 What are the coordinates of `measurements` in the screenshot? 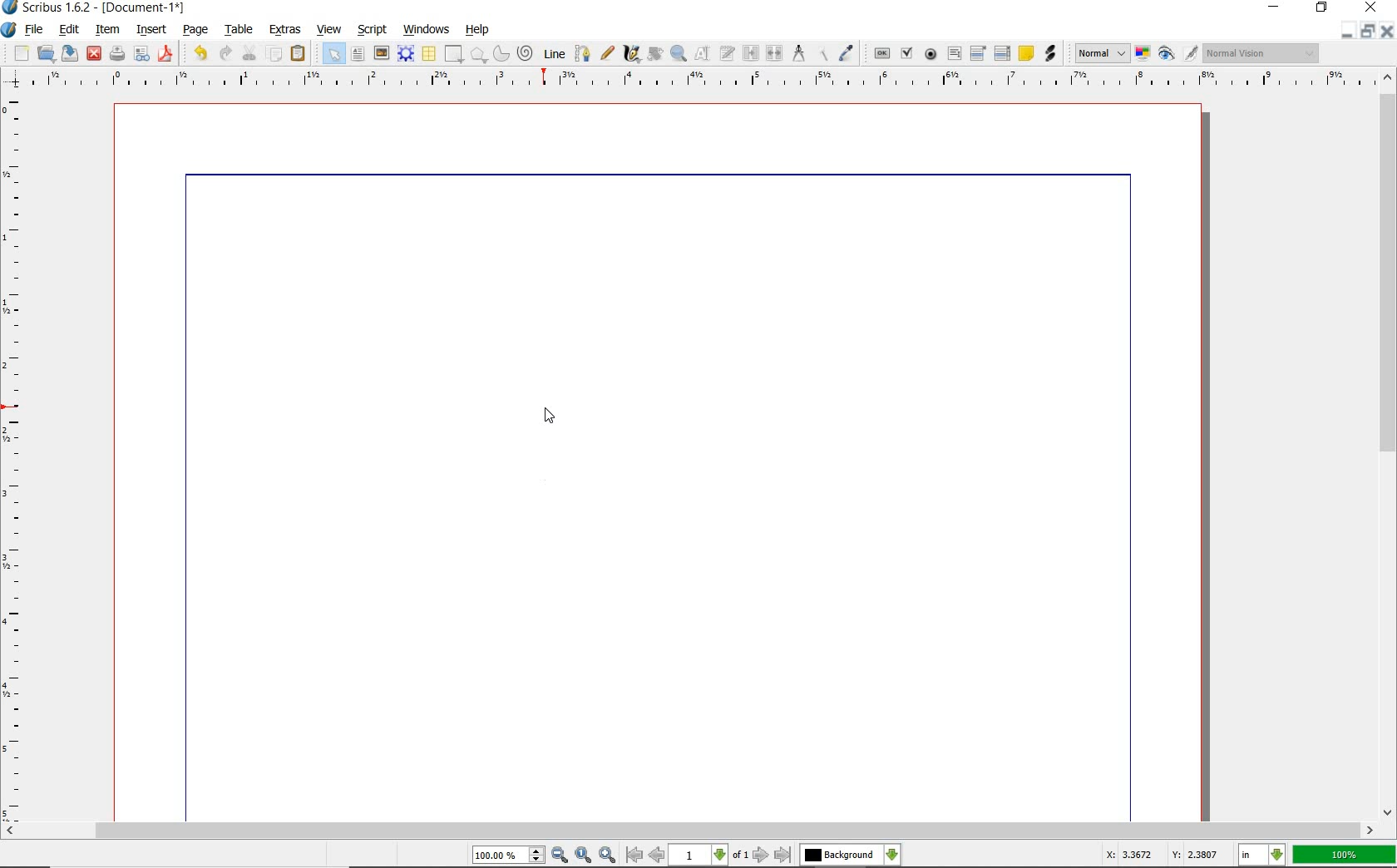 It's located at (799, 52).